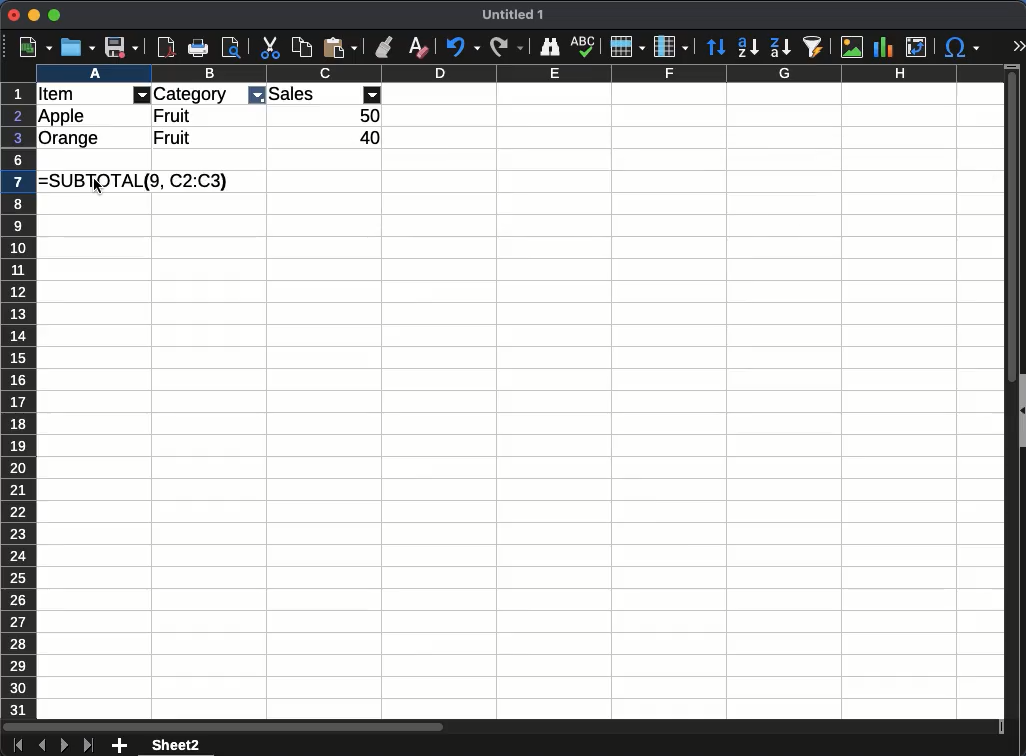  I want to click on undo, so click(462, 48).